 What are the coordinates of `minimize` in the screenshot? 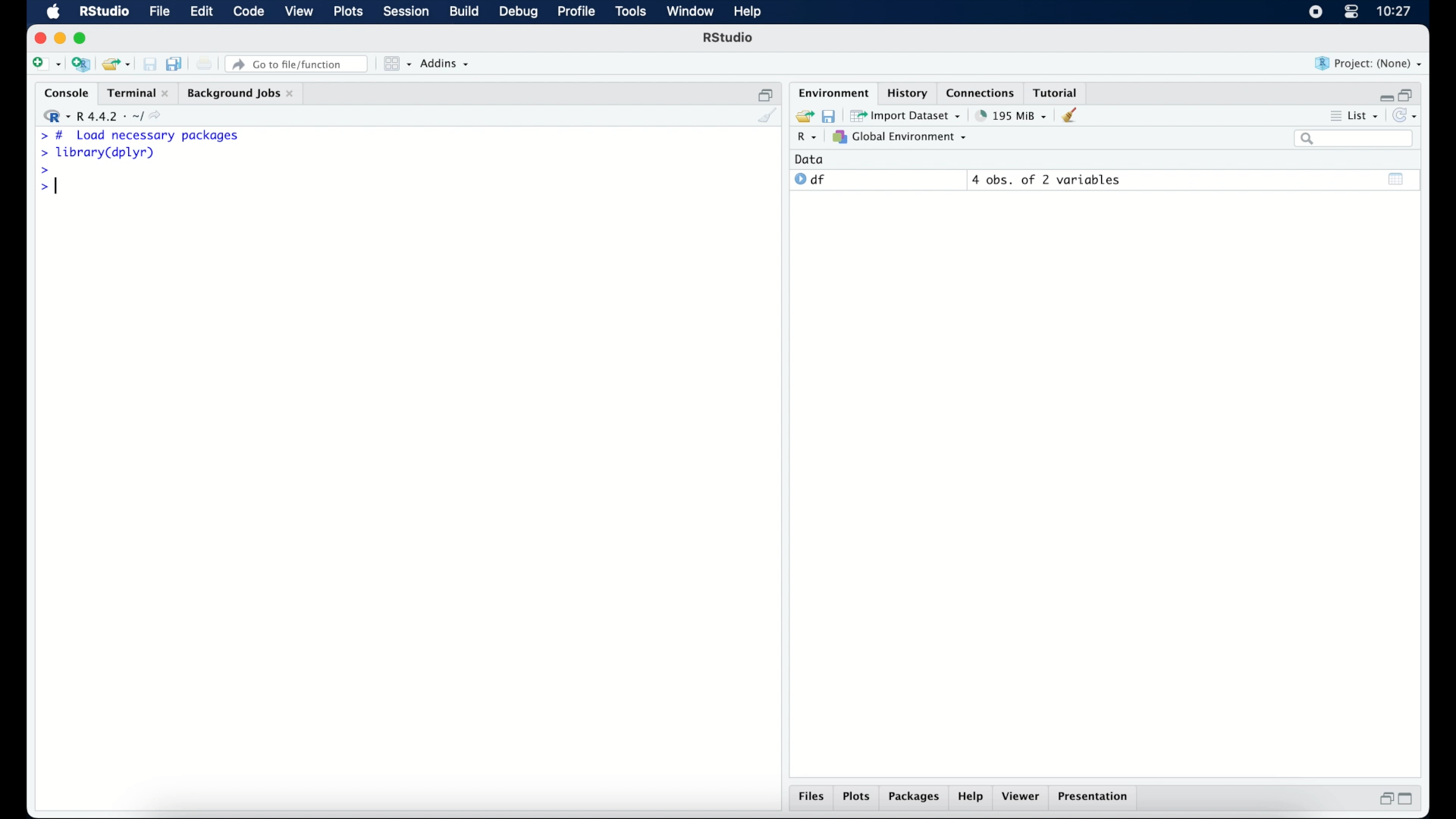 It's located at (1384, 94).